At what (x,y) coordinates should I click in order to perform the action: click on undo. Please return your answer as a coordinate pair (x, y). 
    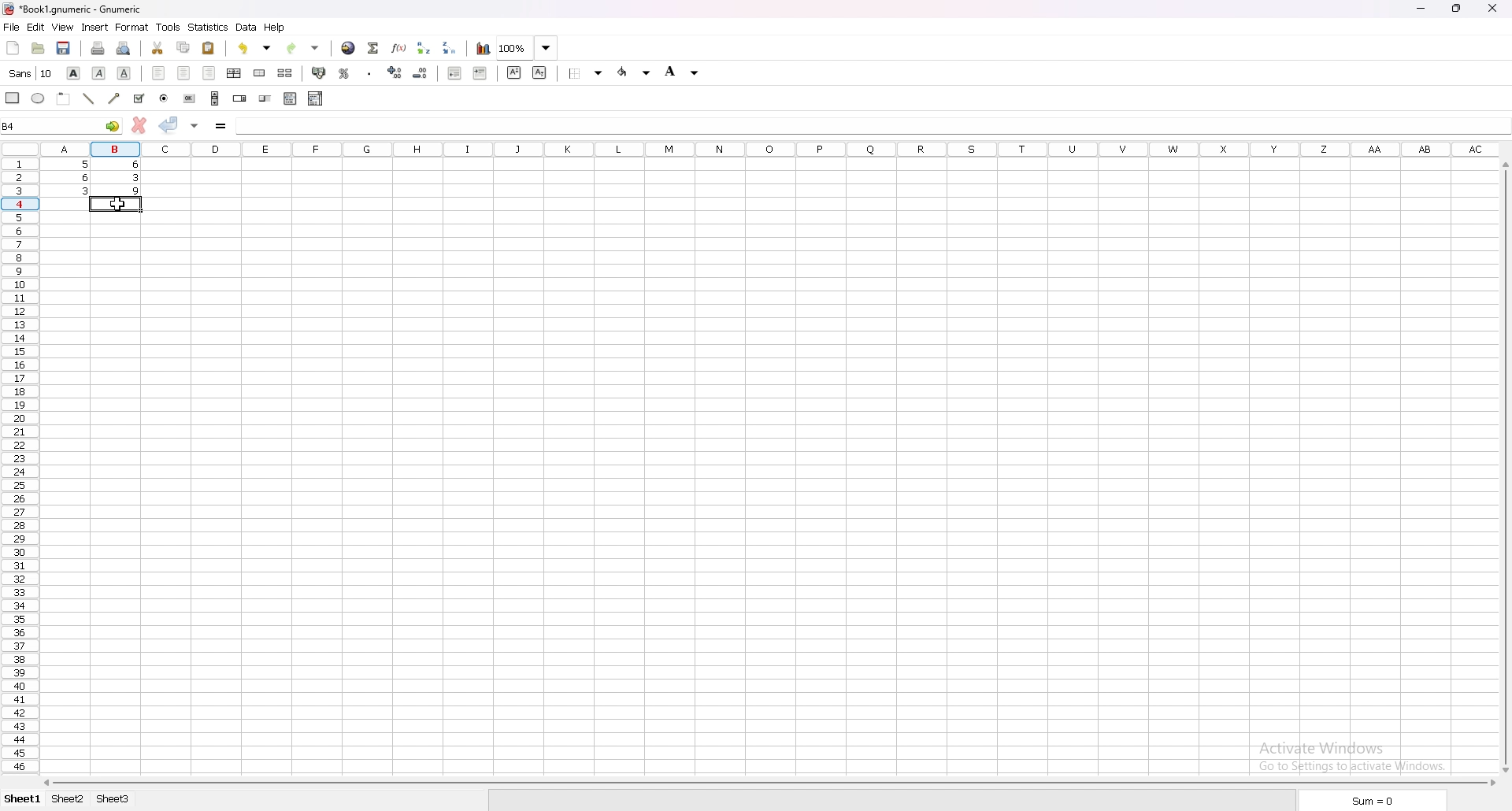
    Looking at the image, I should click on (254, 49).